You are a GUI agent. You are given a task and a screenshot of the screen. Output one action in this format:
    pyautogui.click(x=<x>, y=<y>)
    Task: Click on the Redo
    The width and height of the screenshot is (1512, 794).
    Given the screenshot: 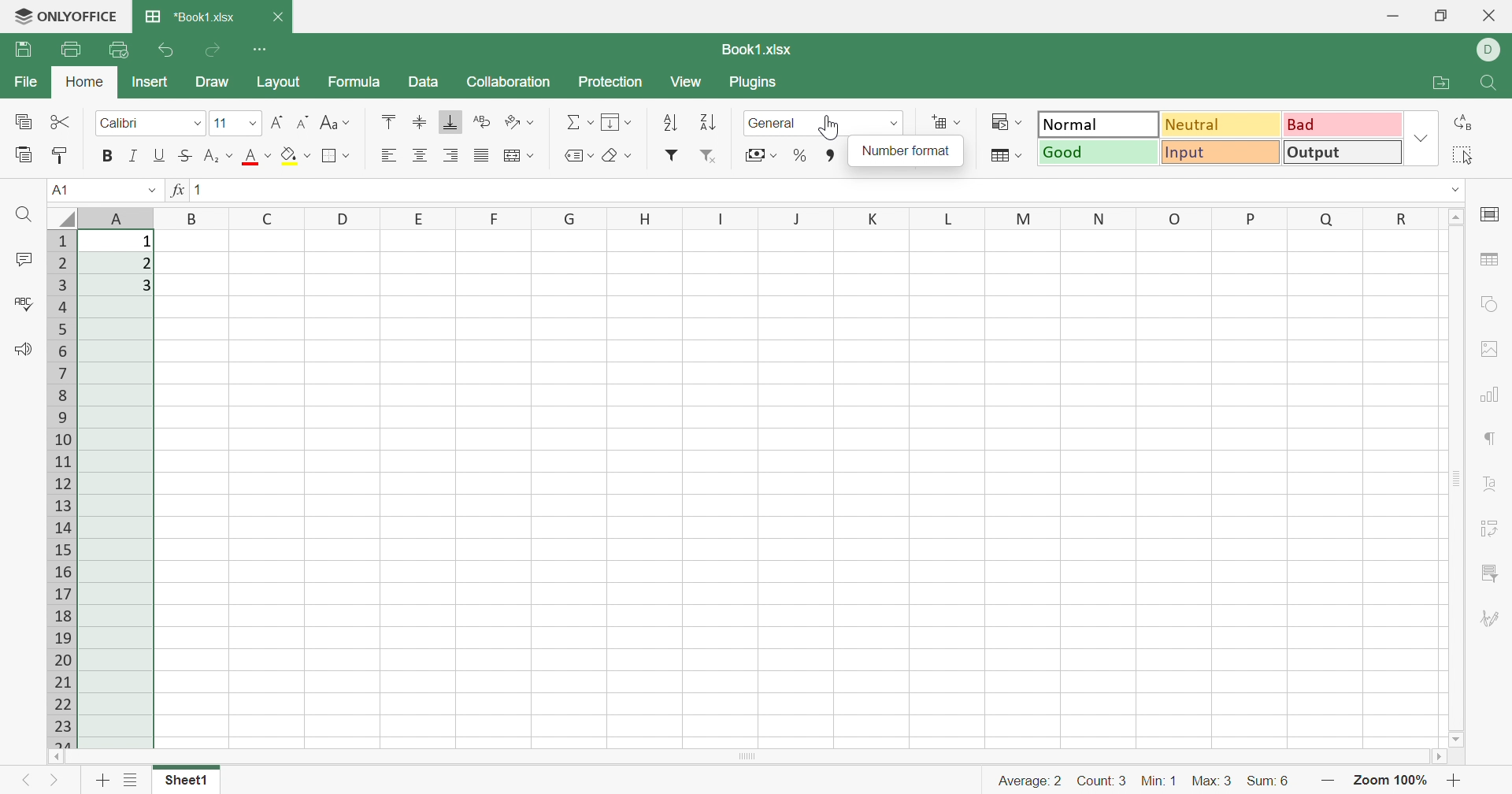 What is the action you would take?
    pyautogui.click(x=215, y=50)
    